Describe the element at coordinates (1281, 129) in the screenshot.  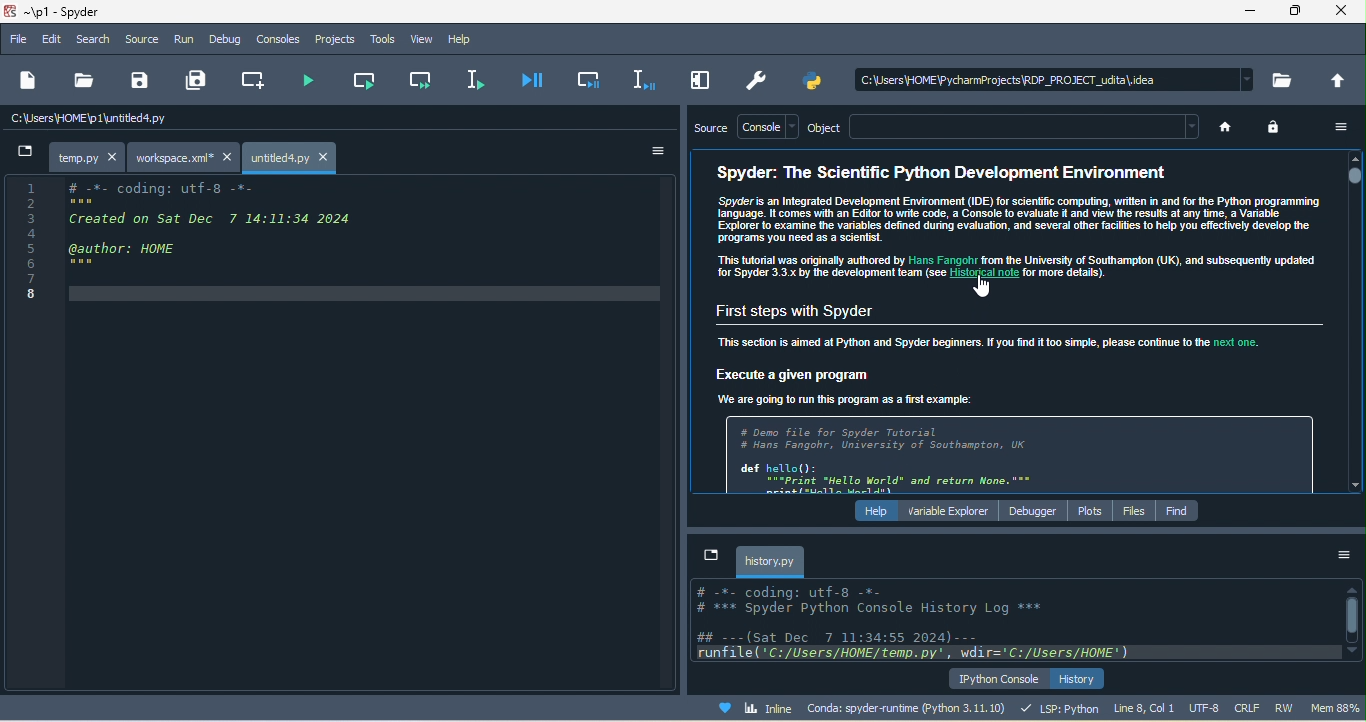
I see `lock` at that location.